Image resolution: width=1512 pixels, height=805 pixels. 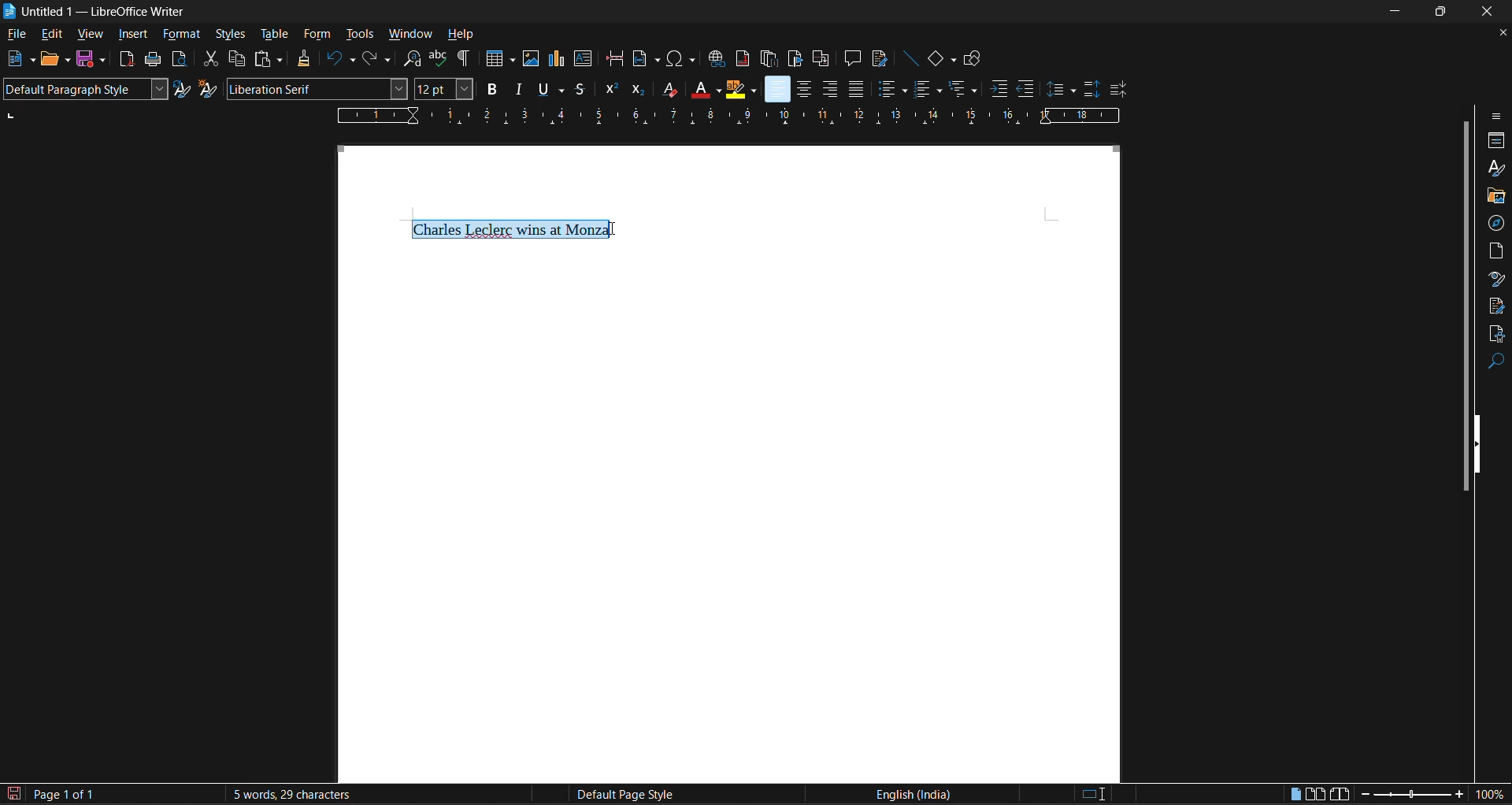 What do you see at coordinates (717, 61) in the screenshot?
I see `insert hyperlink` at bounding box center [717, 61].